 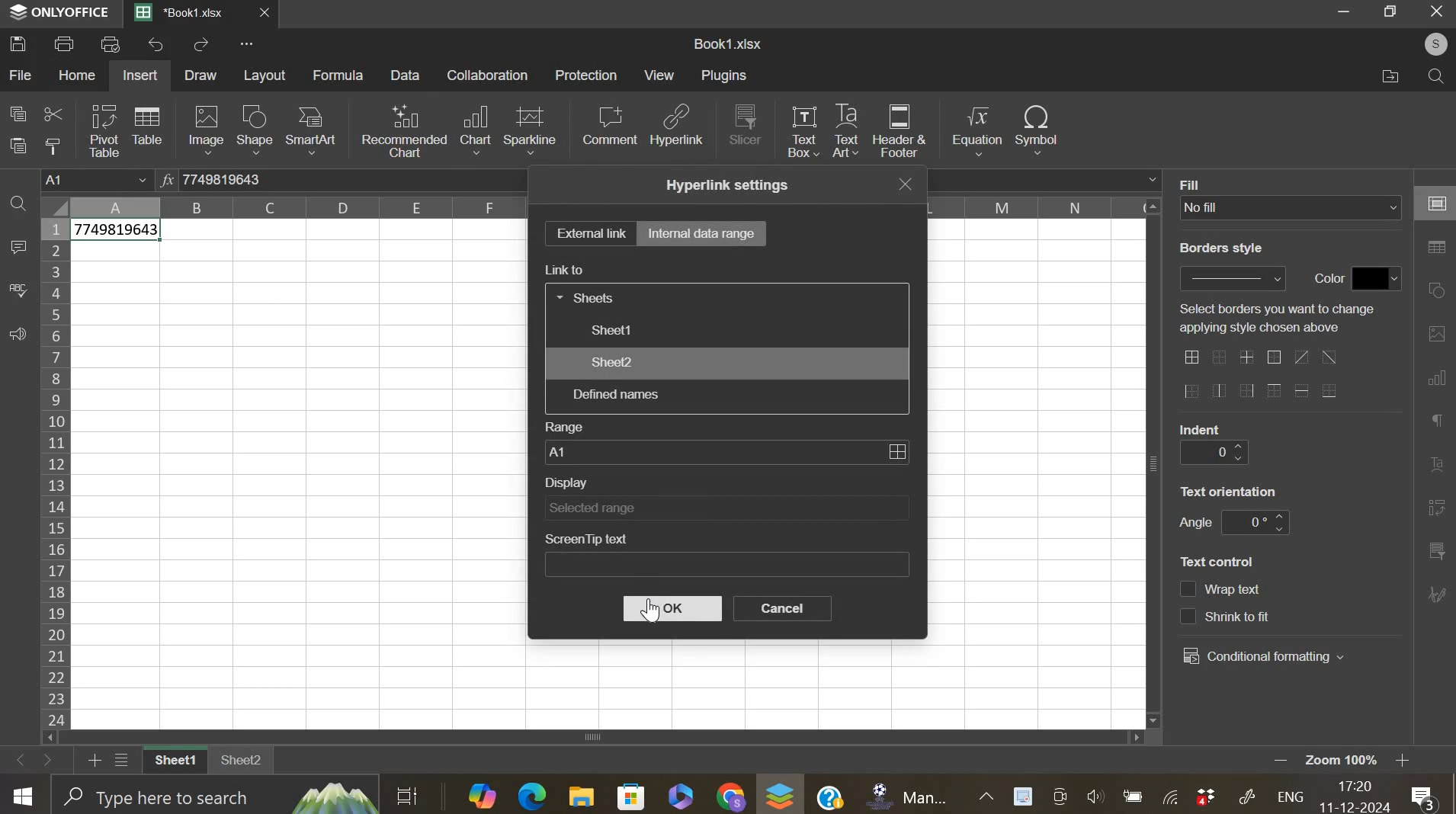 What do you see at coordinates (563, 425) in the screenshot?
I see `Range` at bounding box center [563, 425].